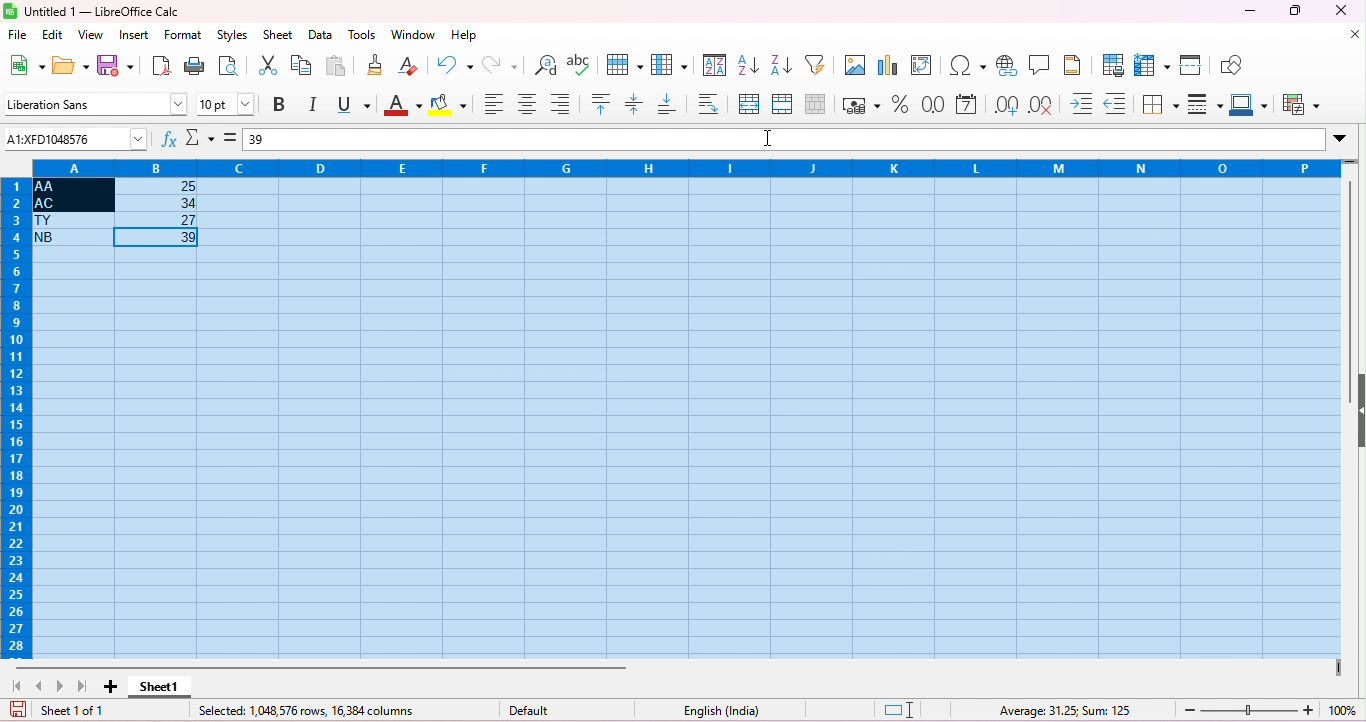 This screenshot has width=1366, height=722. I want to click on spelling, so click(581, 65).